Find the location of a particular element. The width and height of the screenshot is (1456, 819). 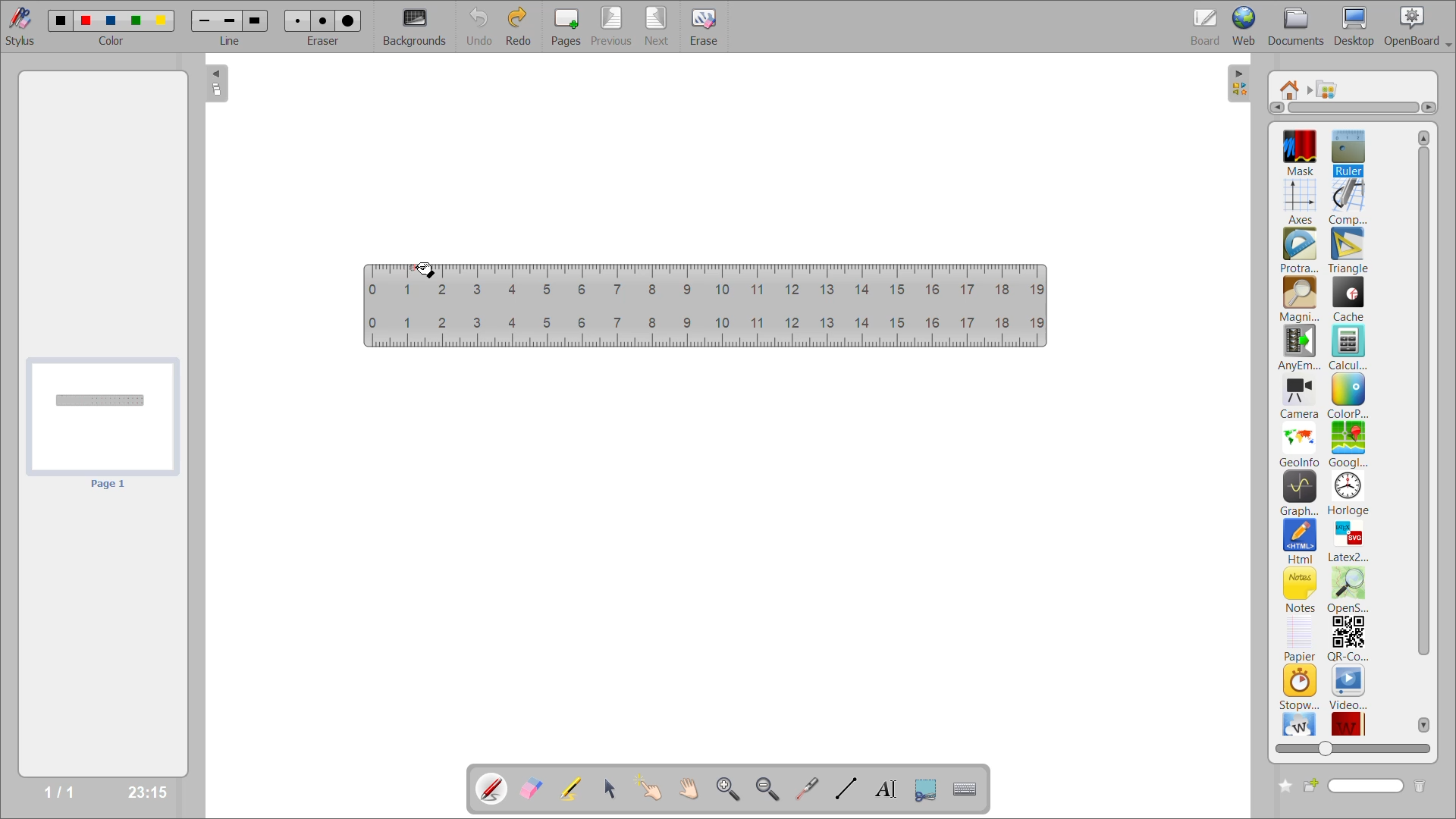

html is located at coordinates (1301, 542).